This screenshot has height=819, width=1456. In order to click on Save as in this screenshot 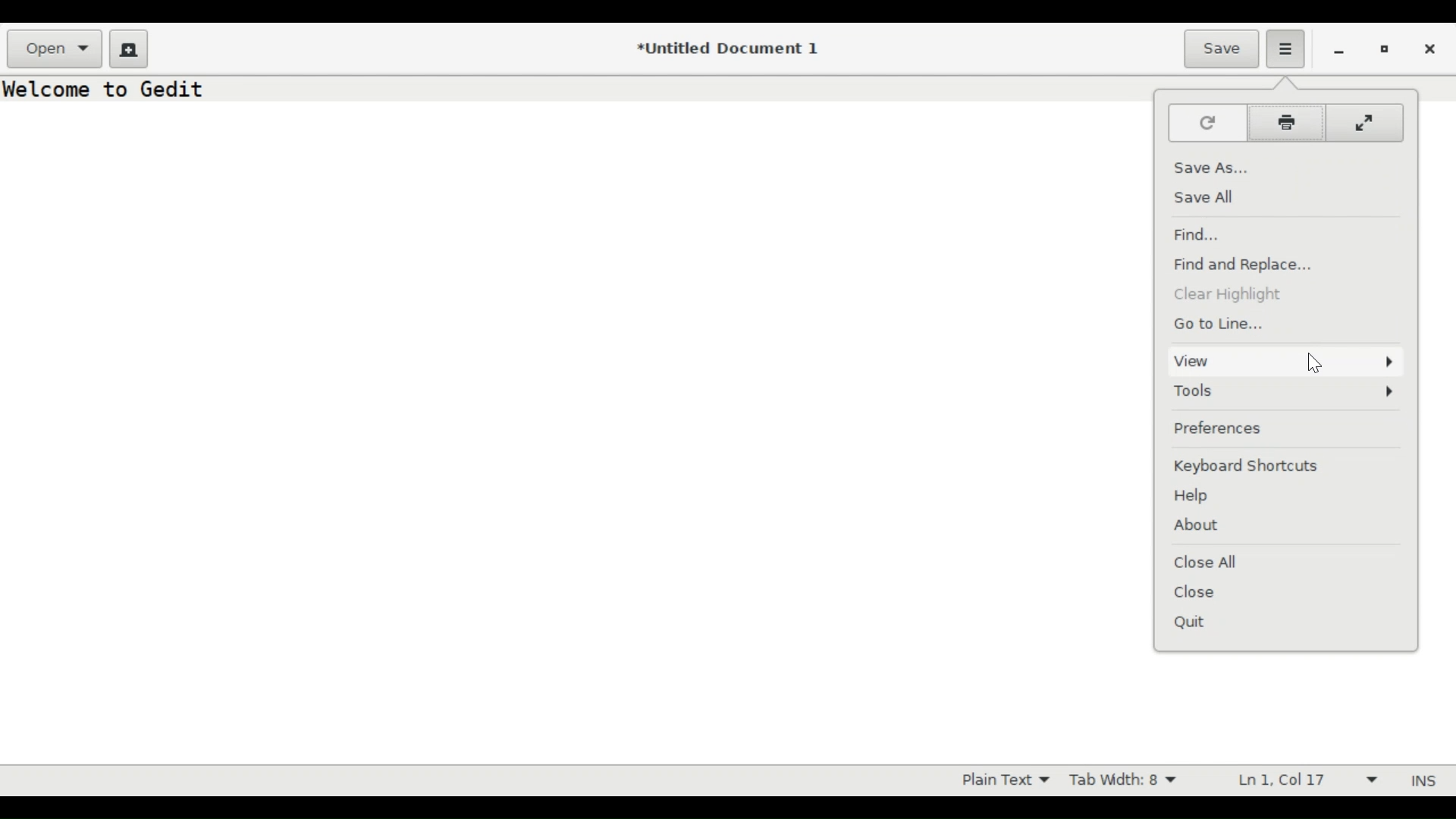, I will do `click(1208, 165)`.